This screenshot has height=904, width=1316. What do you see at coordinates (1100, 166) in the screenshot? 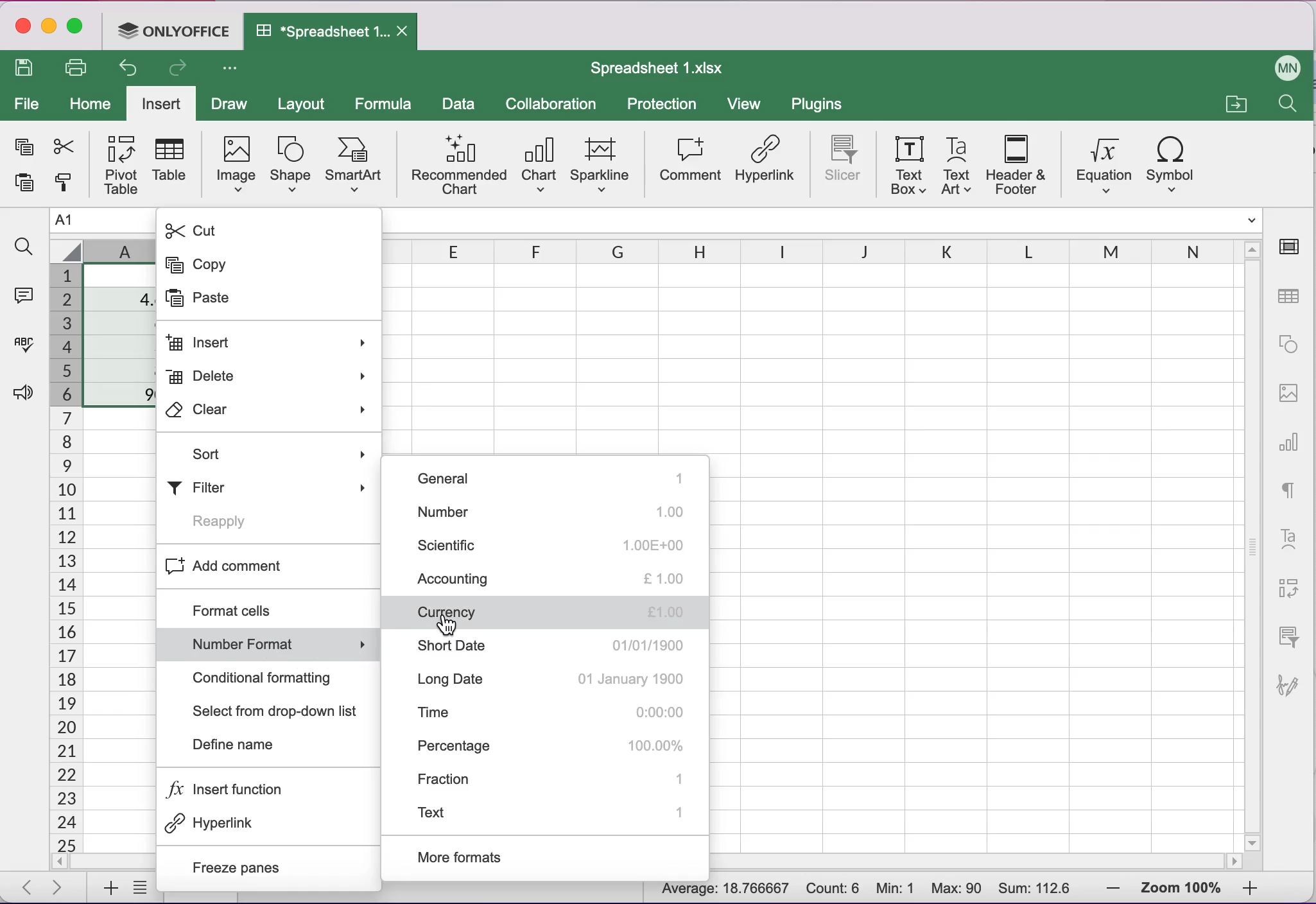
I see `equation` at bounding box center [1100, 166].